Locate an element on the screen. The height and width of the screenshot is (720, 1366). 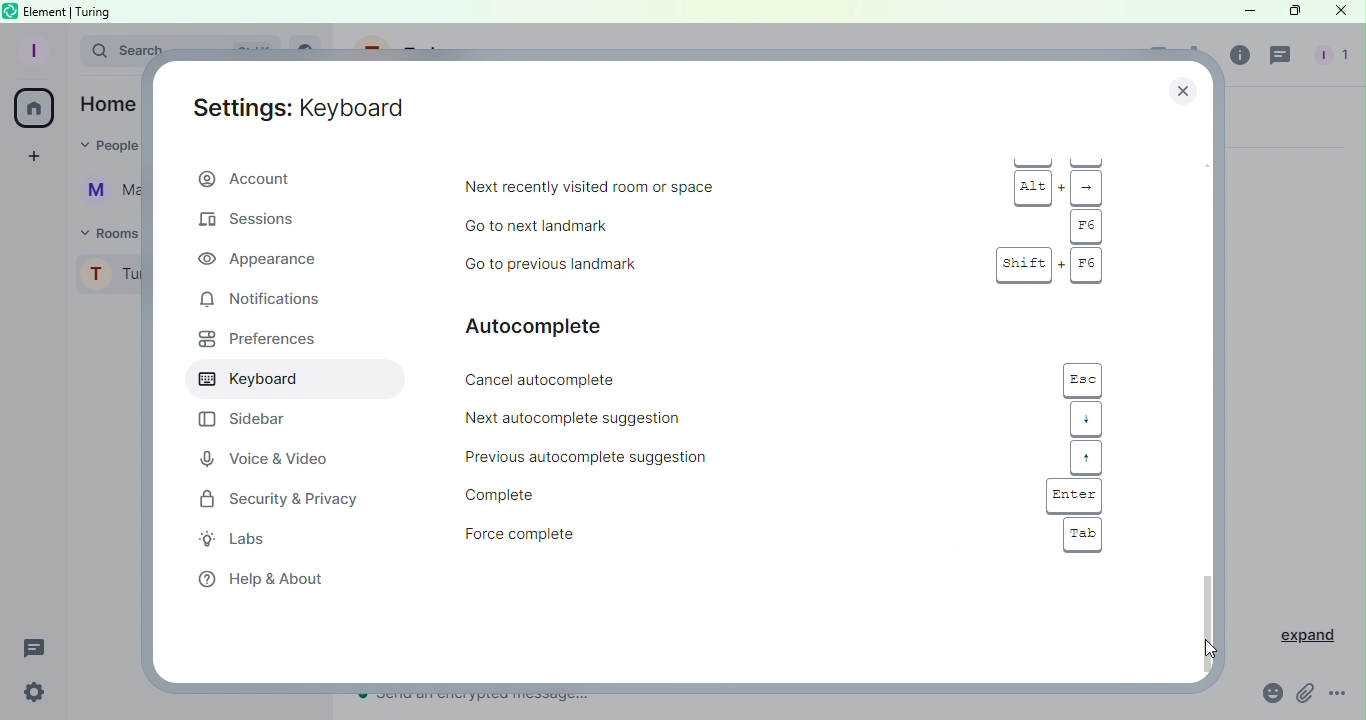
element | turing is located at coordinates (68, 11).